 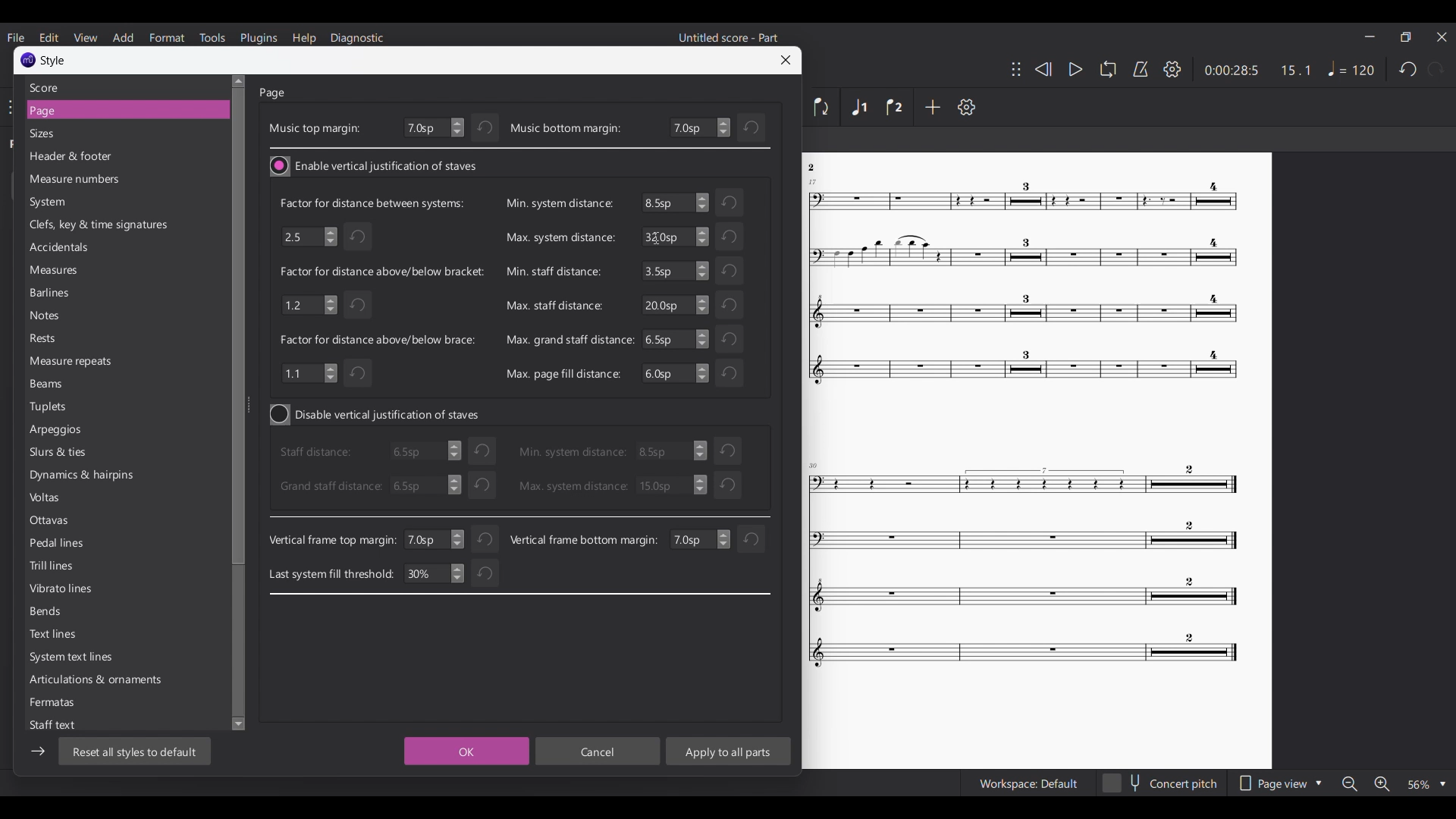 What do you see at coordinates (123, 37) in the screenshot?
I see `Add menu` at bounding box center [123, 37].